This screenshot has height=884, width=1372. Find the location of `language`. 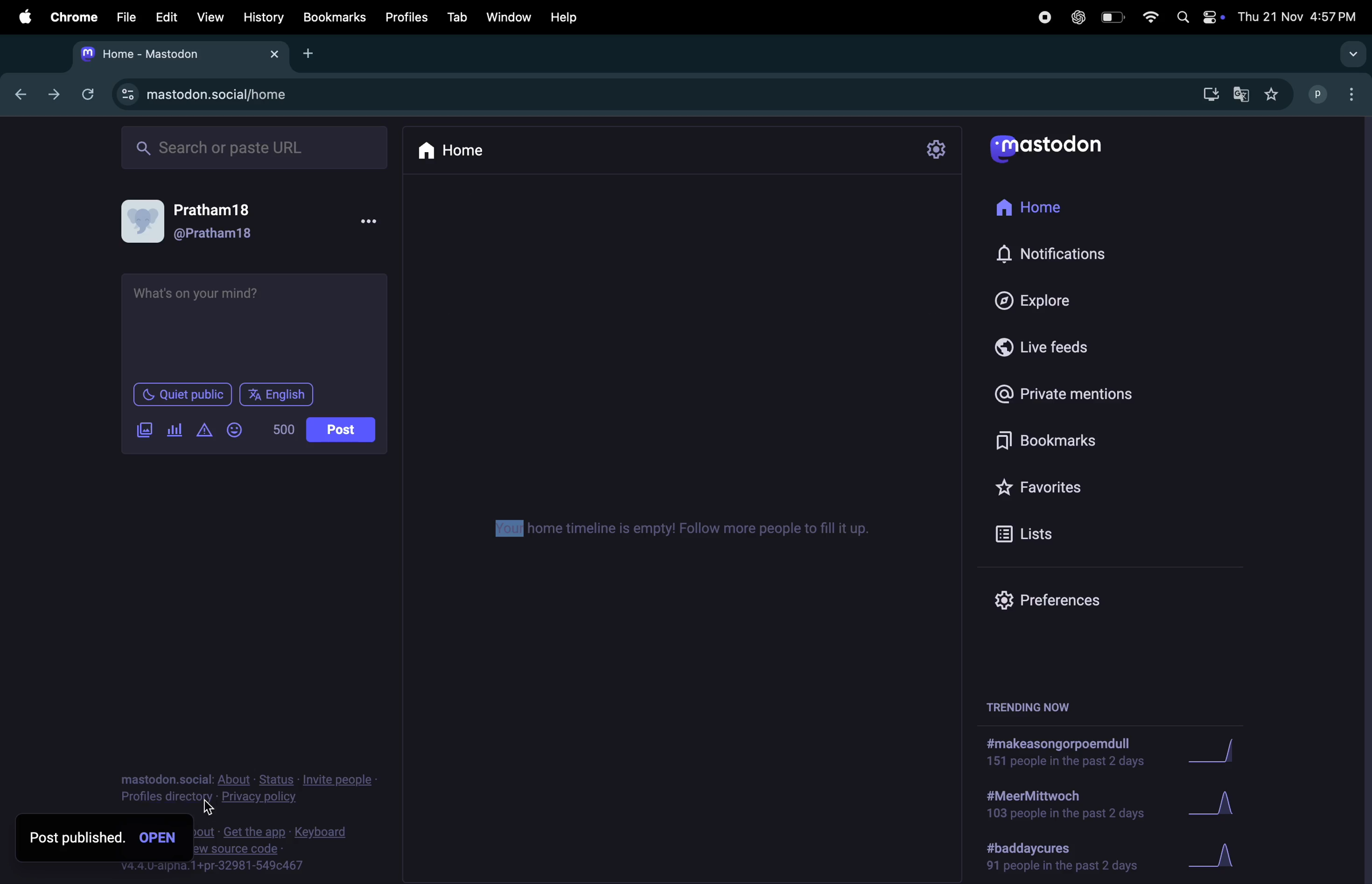

language is located at coordinates (281, 394).